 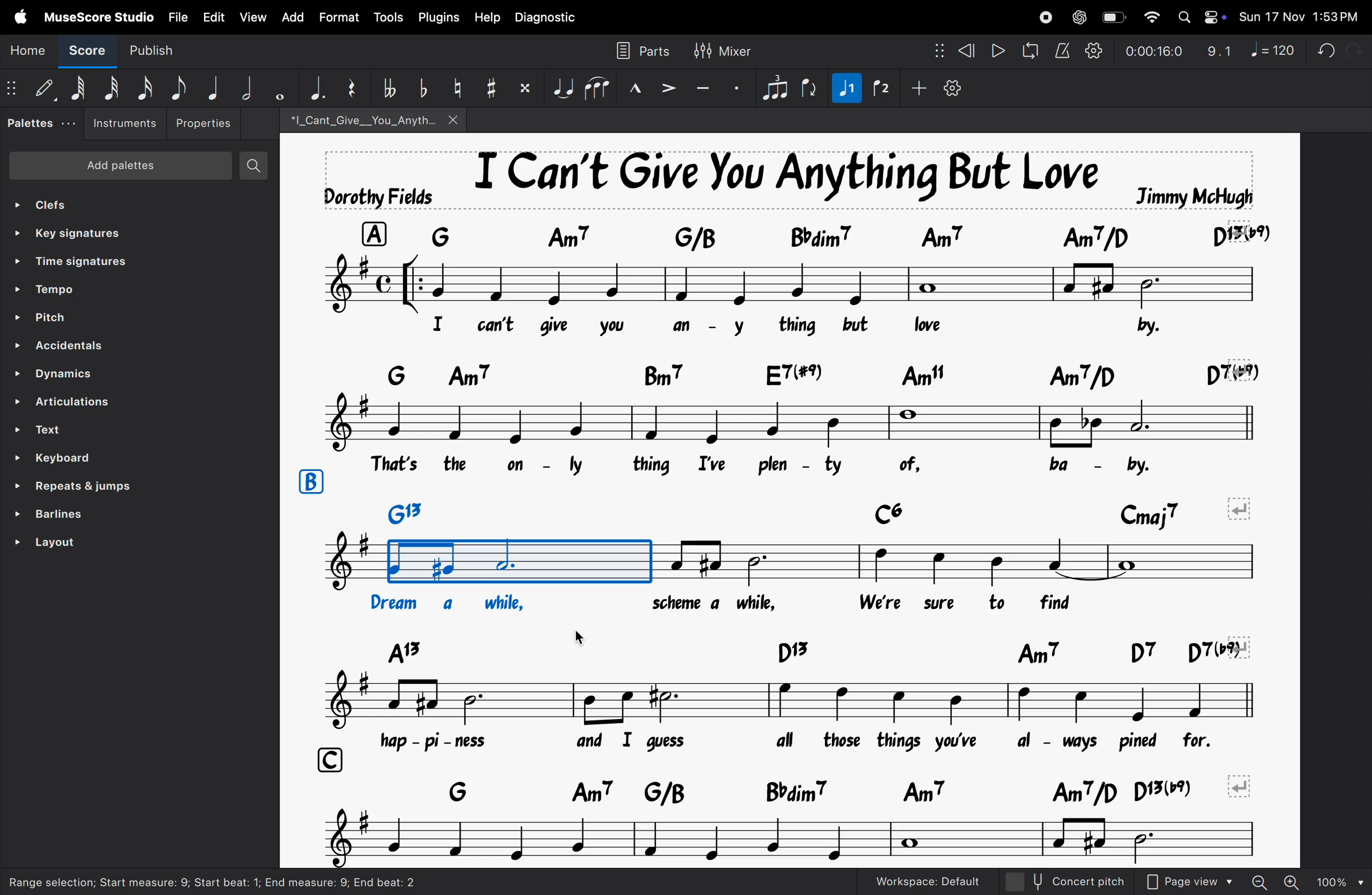 I want to click on row, so click(x=331, y=758).